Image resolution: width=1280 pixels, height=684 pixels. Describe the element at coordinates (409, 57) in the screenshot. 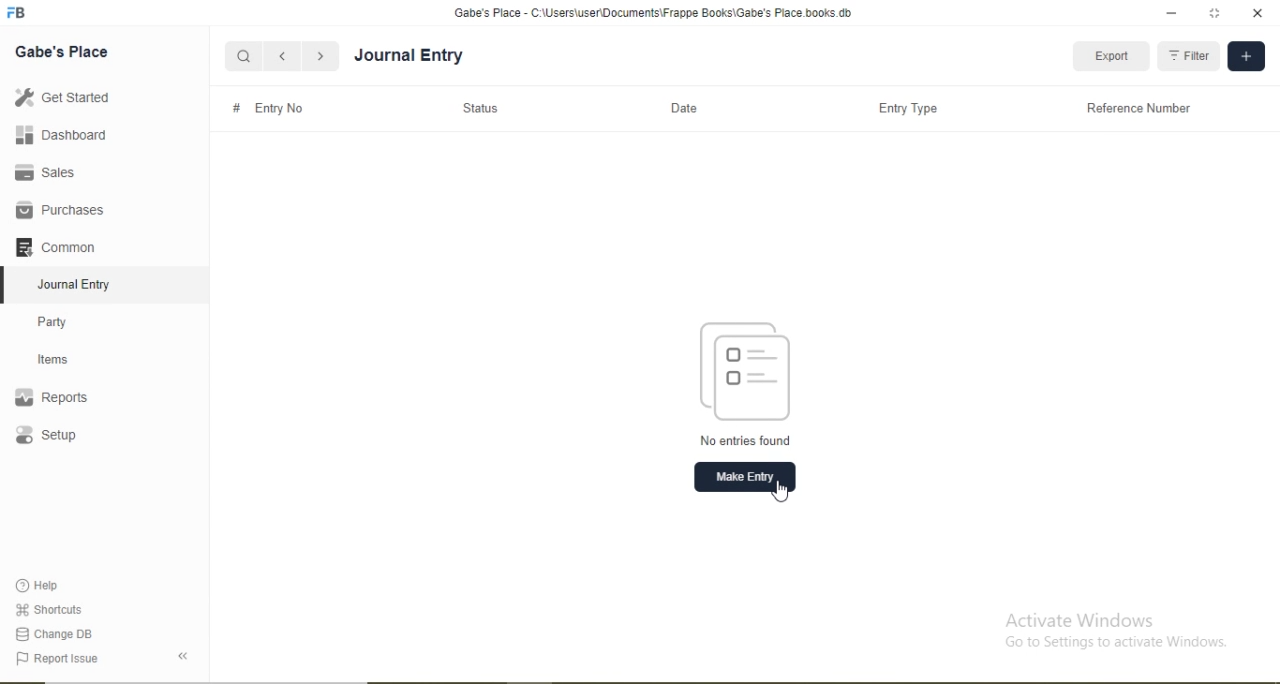

I see `Journal Entry` at that location.